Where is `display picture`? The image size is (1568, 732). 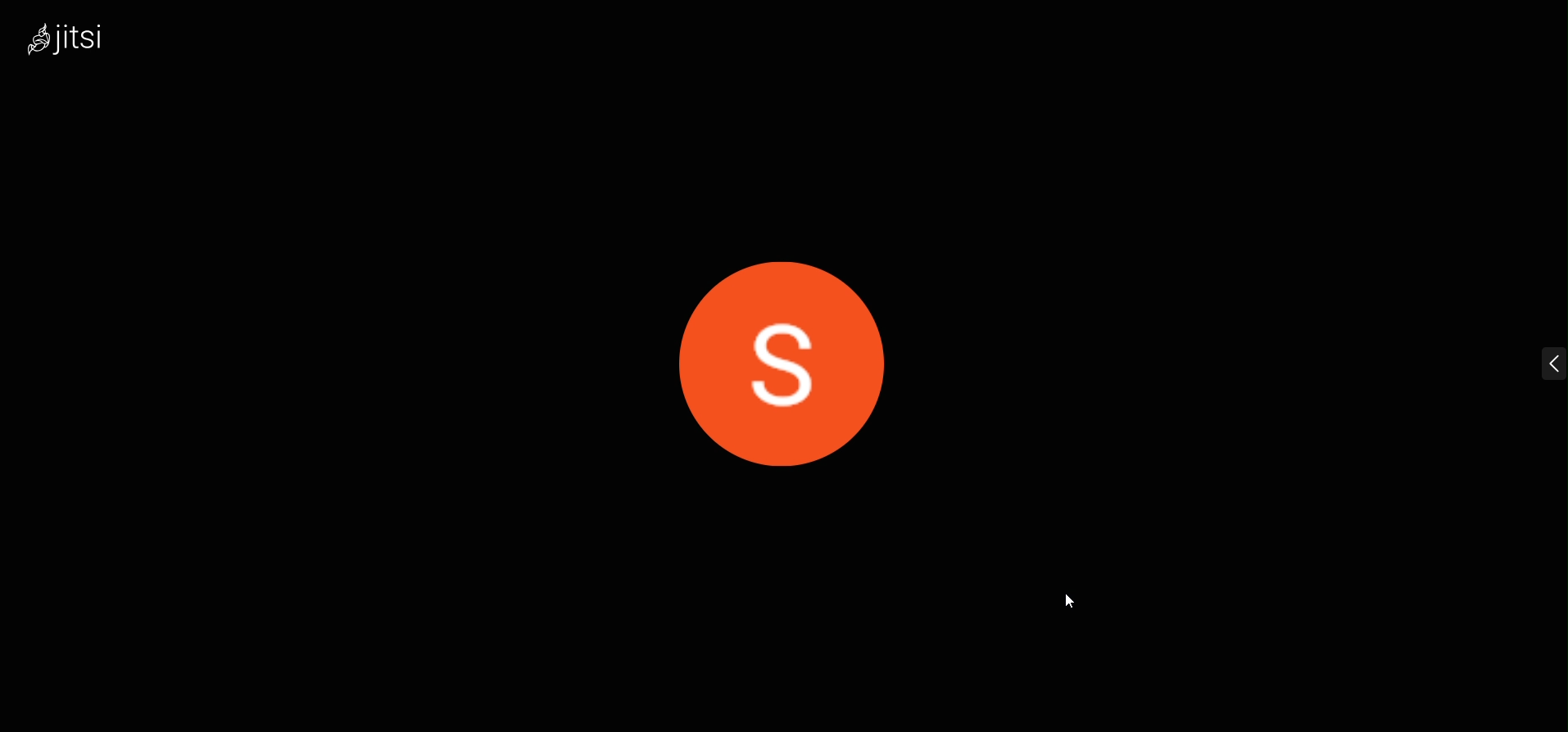
display picture is located at coordinates (791, 384).